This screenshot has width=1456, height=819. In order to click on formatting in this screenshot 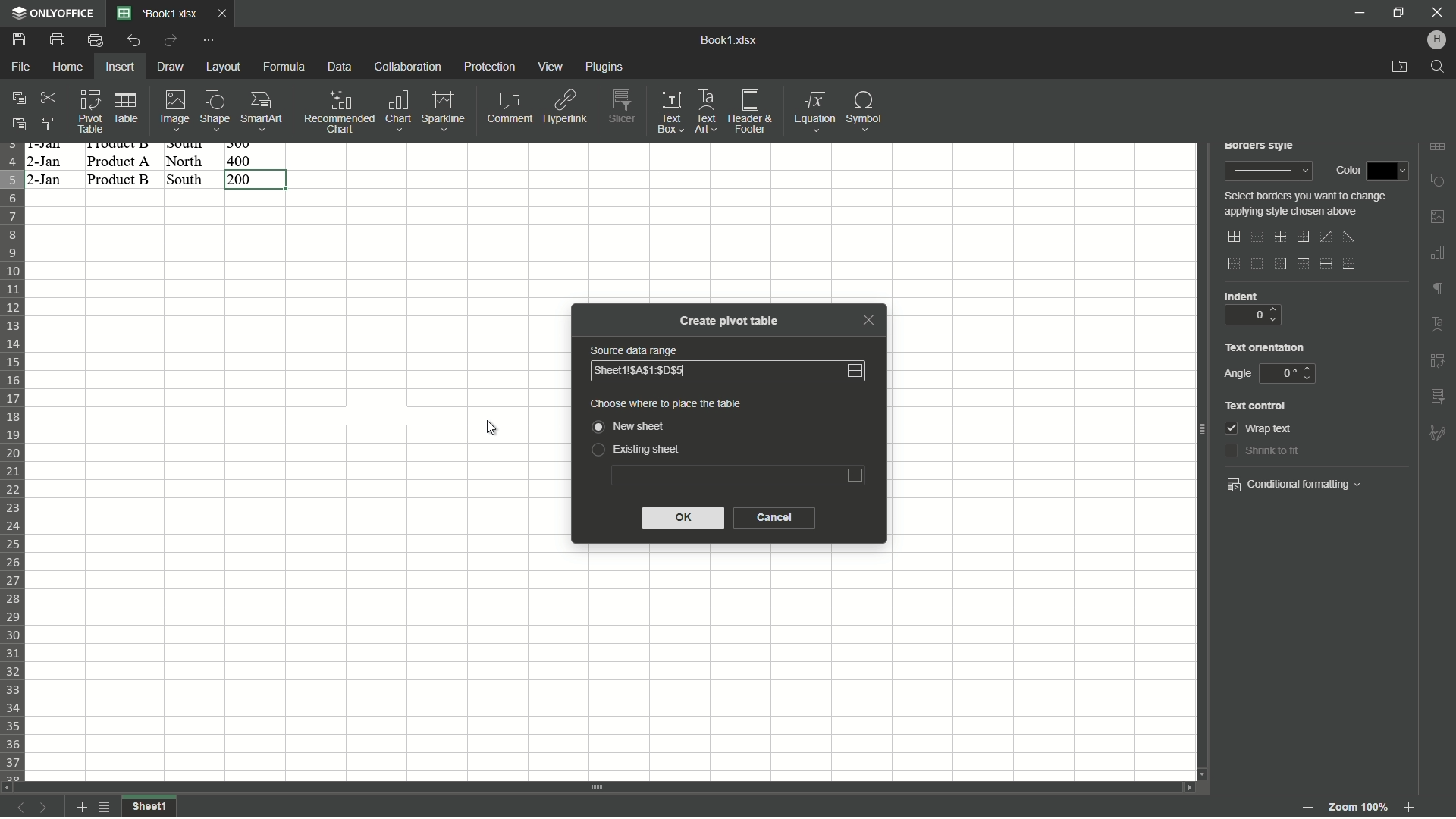, I will do `click(1438, 431)`.